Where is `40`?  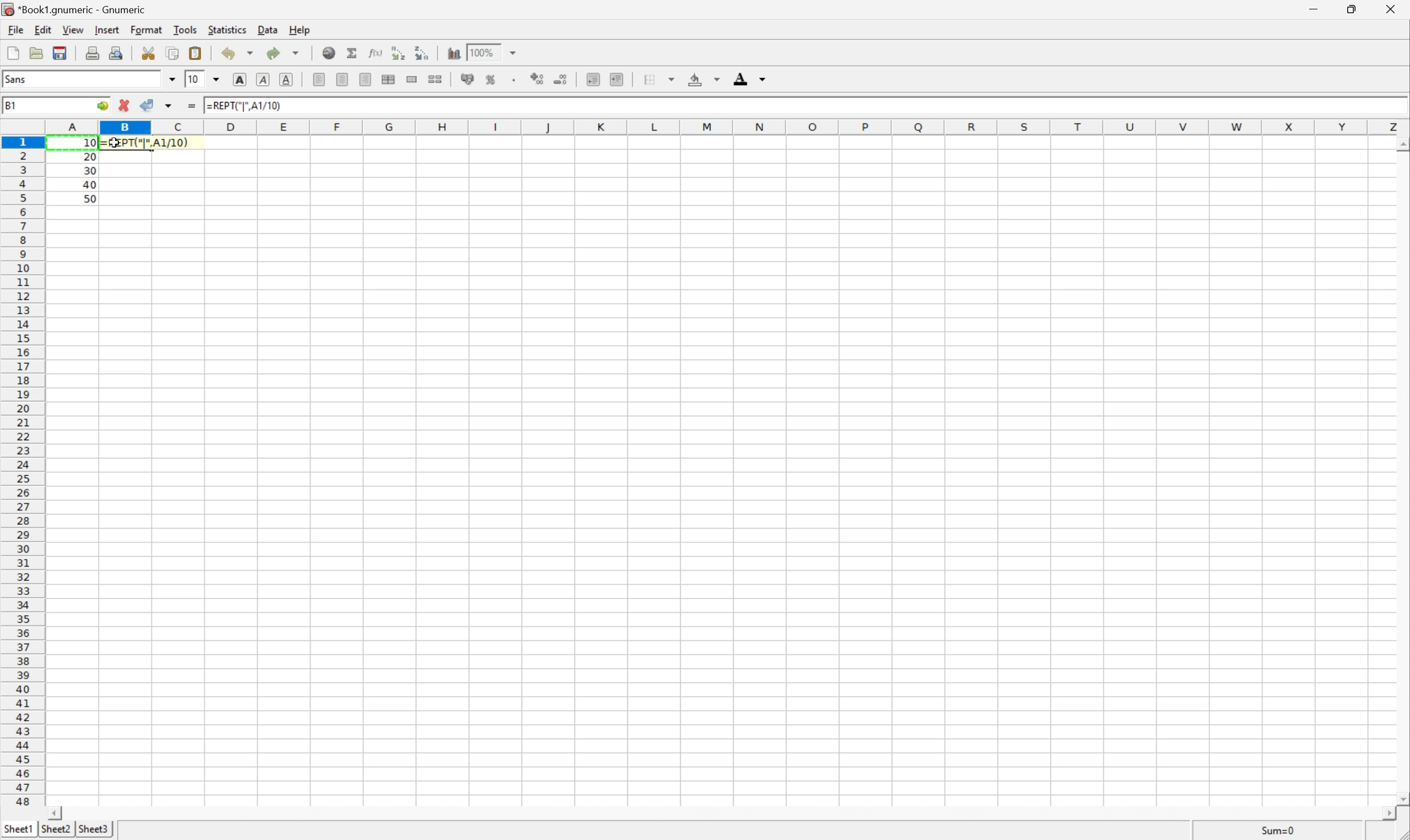 40 is located at coordinates (89, 184).